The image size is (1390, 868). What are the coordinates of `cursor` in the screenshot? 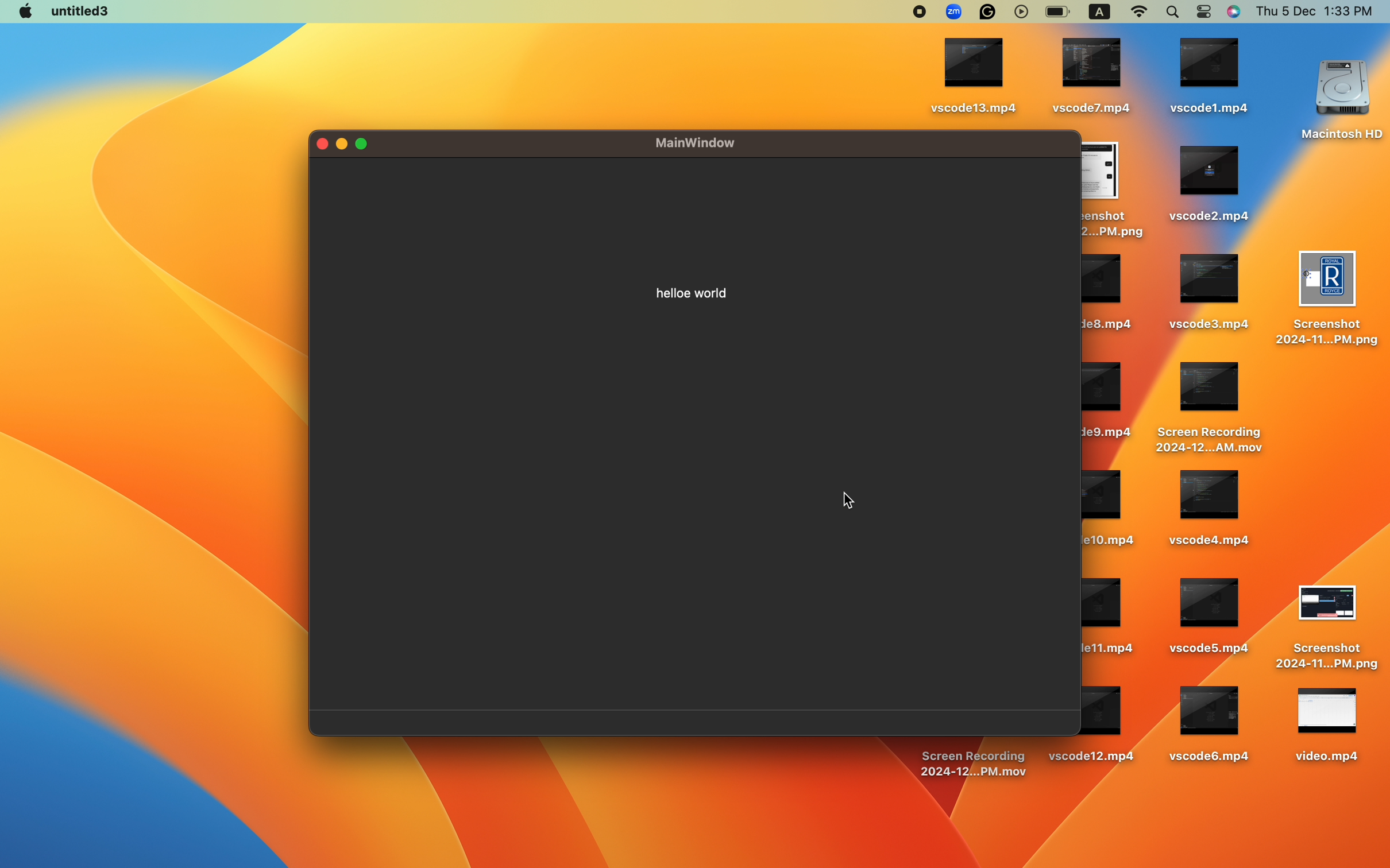 It's located at (851, 504).